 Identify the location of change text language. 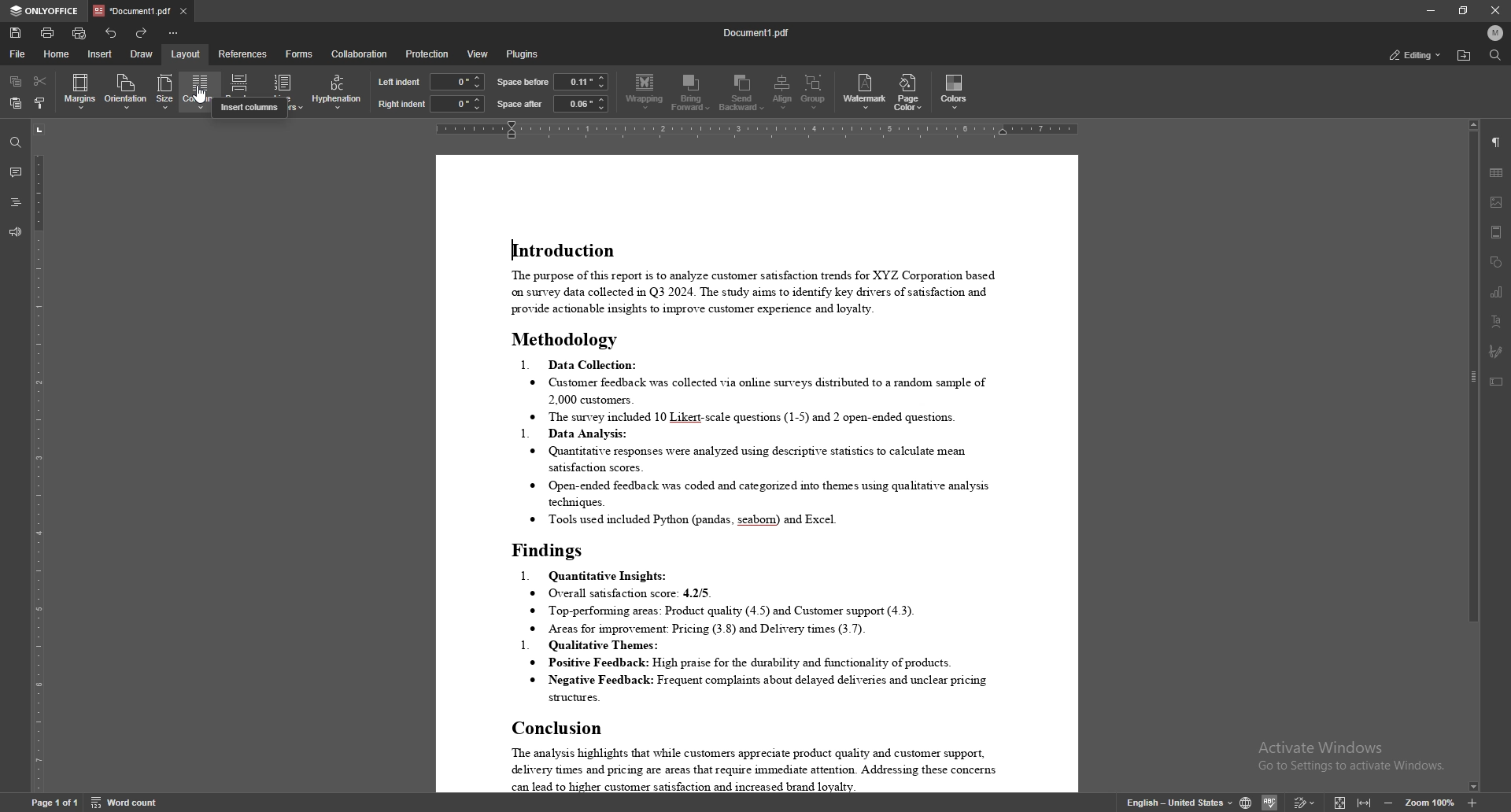
(1170, 800).